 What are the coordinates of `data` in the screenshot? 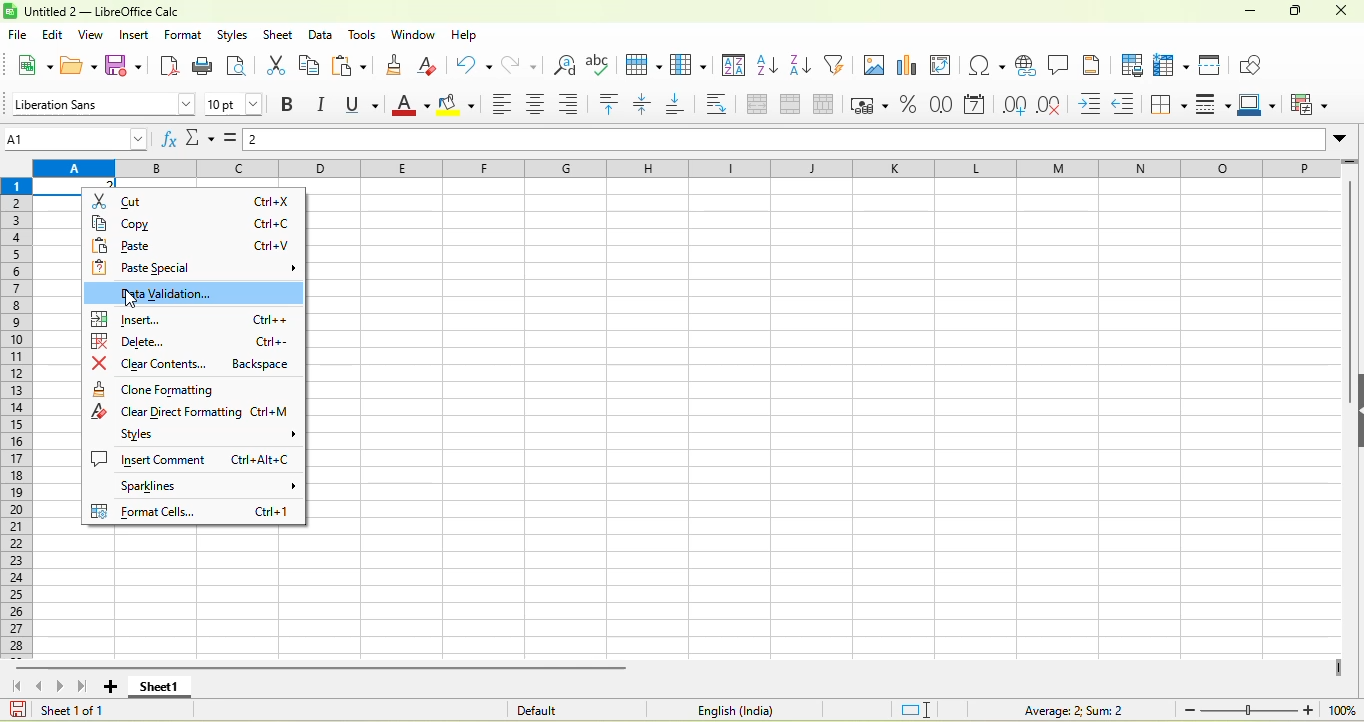 It's located at (327, 36).